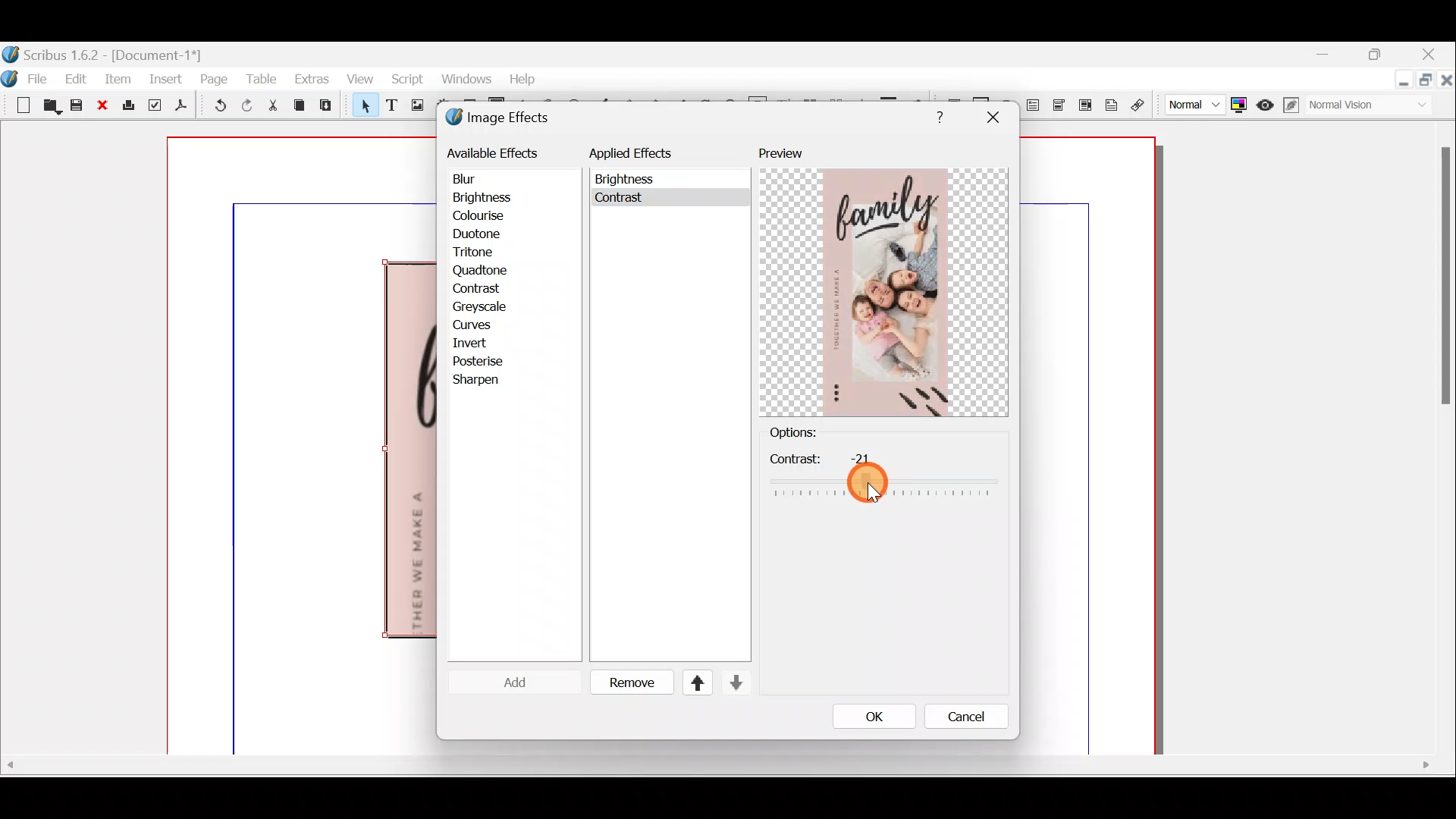 The width and height of the screenshot is (1456, 819). What do you see at coordinates (1085, 103) in the screenshot?
I see `PDF List box` at bounding box center [1085, 103].